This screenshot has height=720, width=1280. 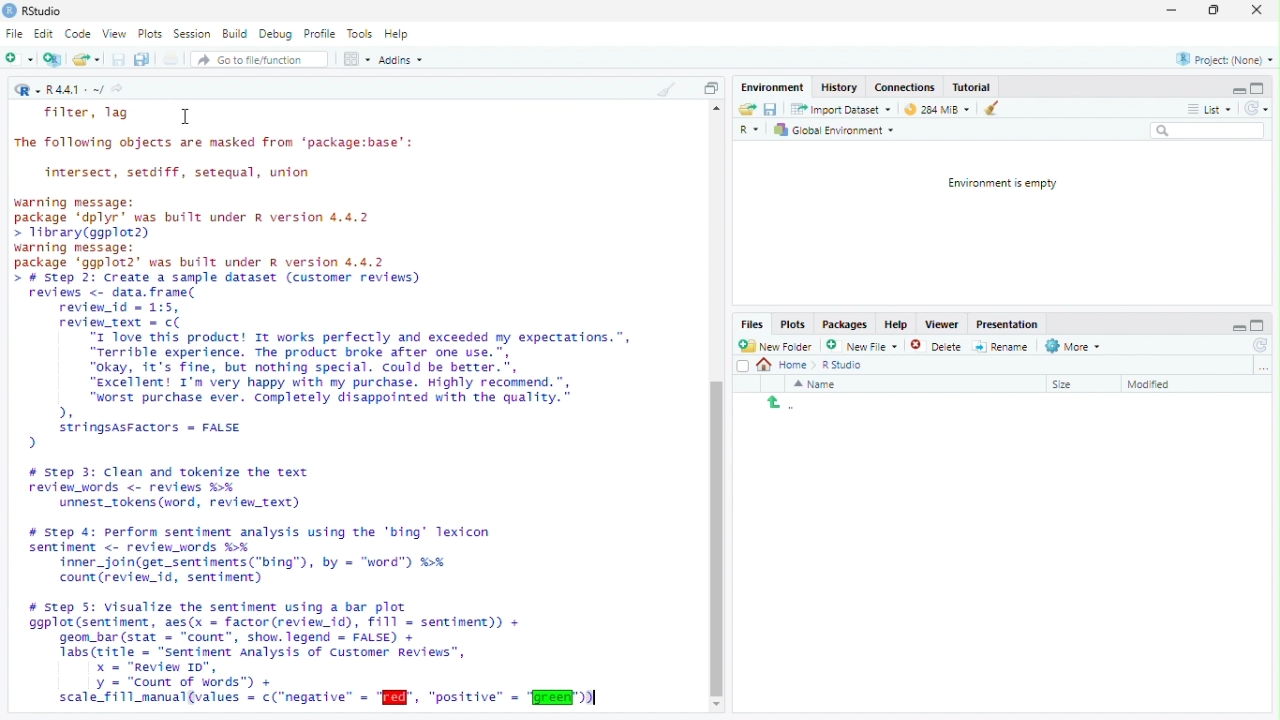 I want to click on Close, so click(x=1256, y=11).